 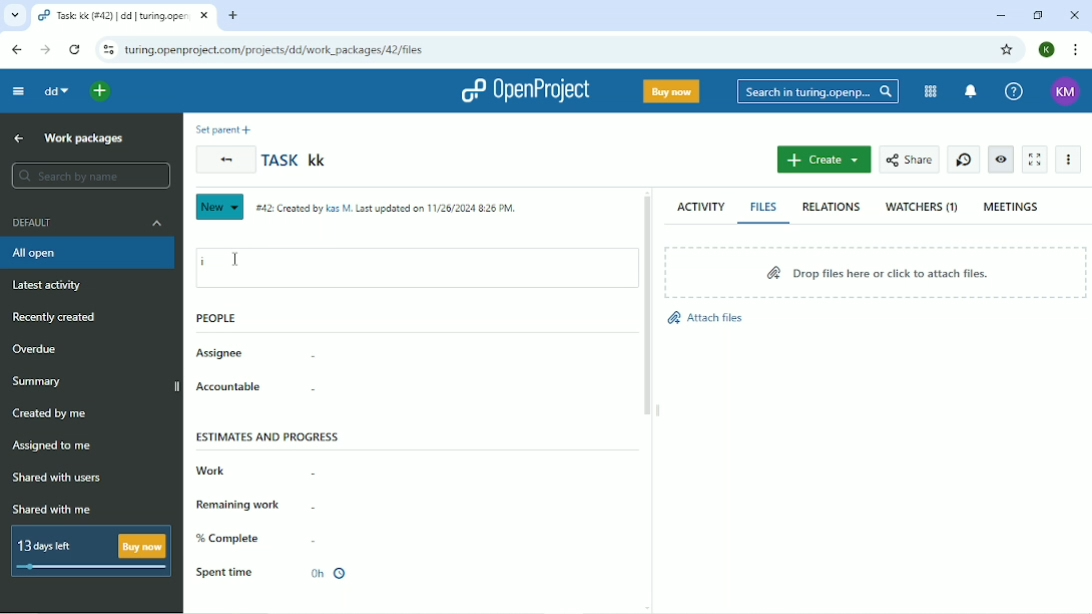 What do you see at coordinates (825, 160) in the screenshot?
I see `Create` at bounding box center [825, 160].